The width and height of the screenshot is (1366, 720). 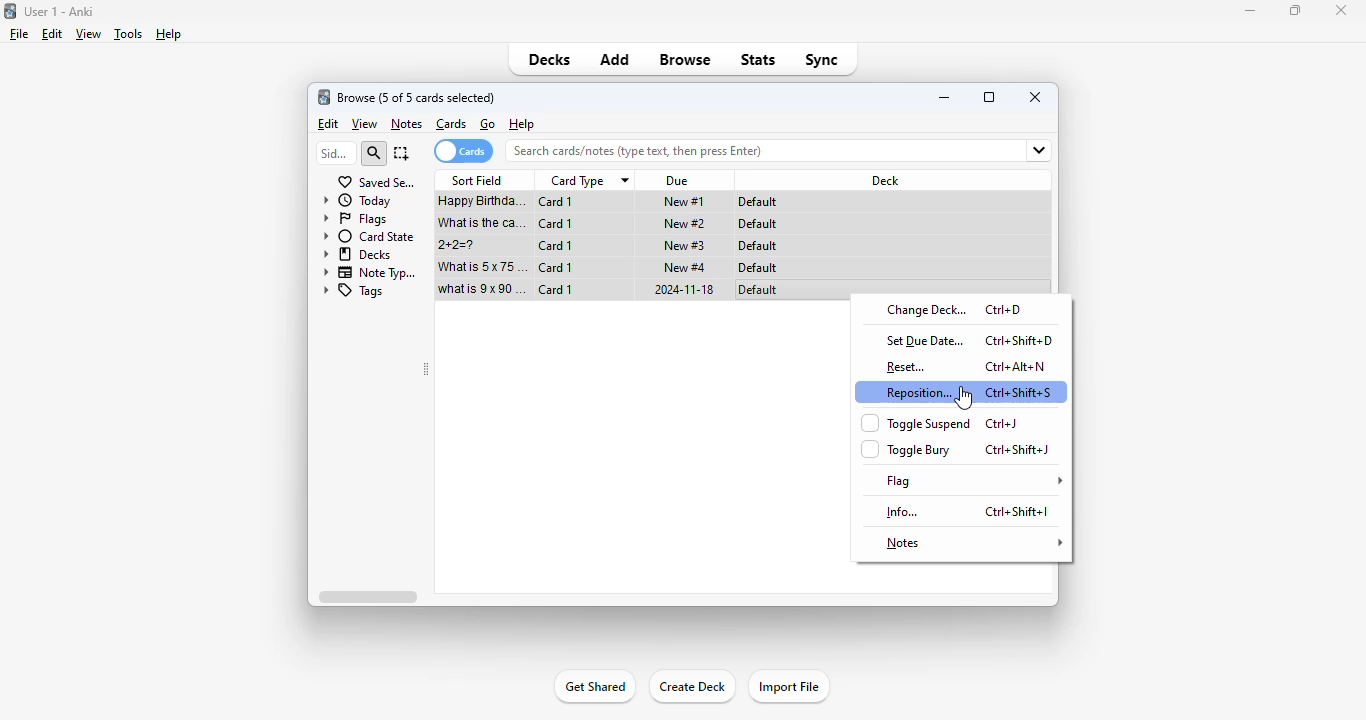 I want to click on fields, so click(x=1030, y=151).